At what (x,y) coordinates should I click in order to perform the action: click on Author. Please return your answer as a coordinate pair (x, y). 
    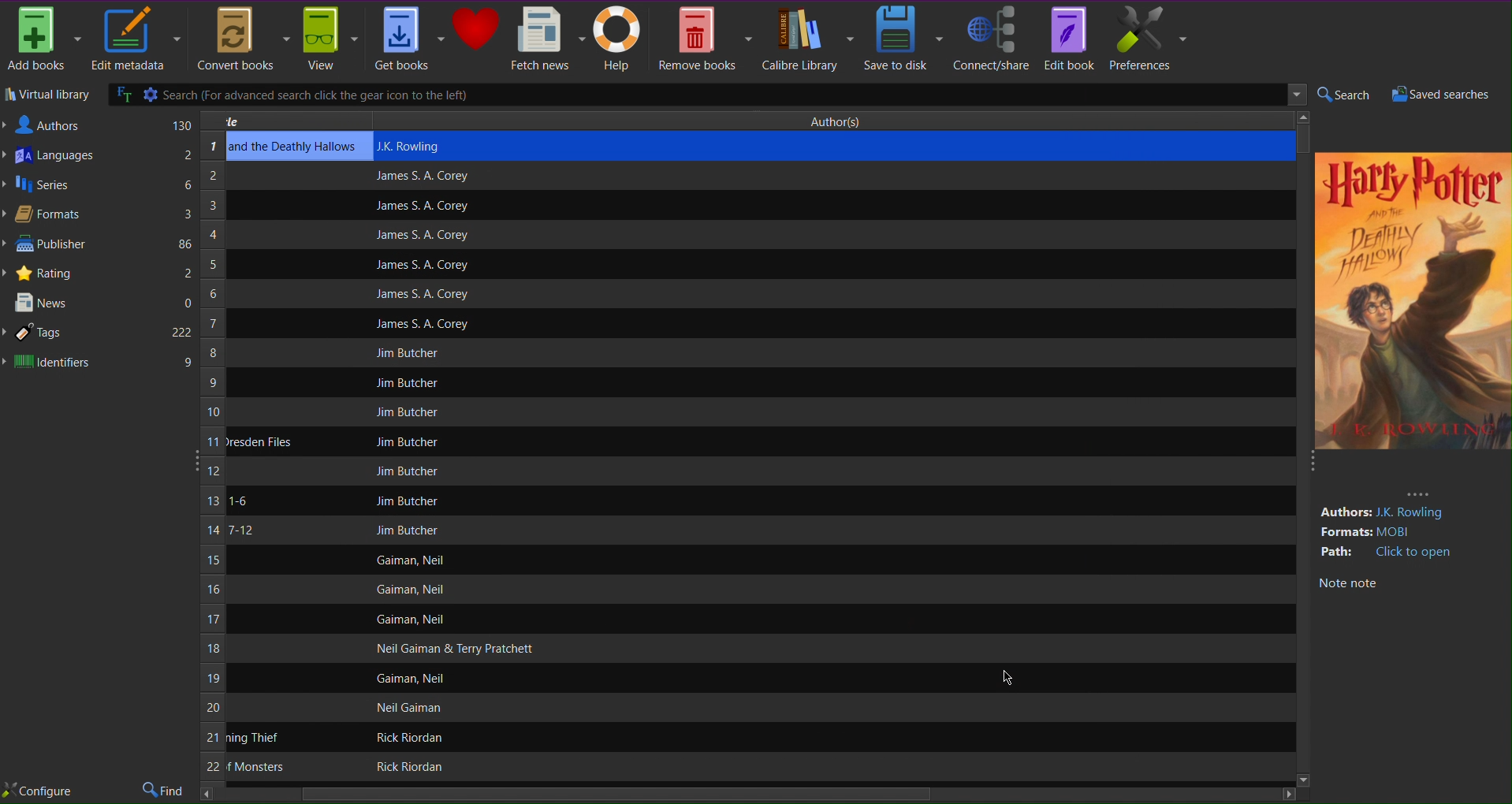
    Looking at the image, I should click on (841, 119).